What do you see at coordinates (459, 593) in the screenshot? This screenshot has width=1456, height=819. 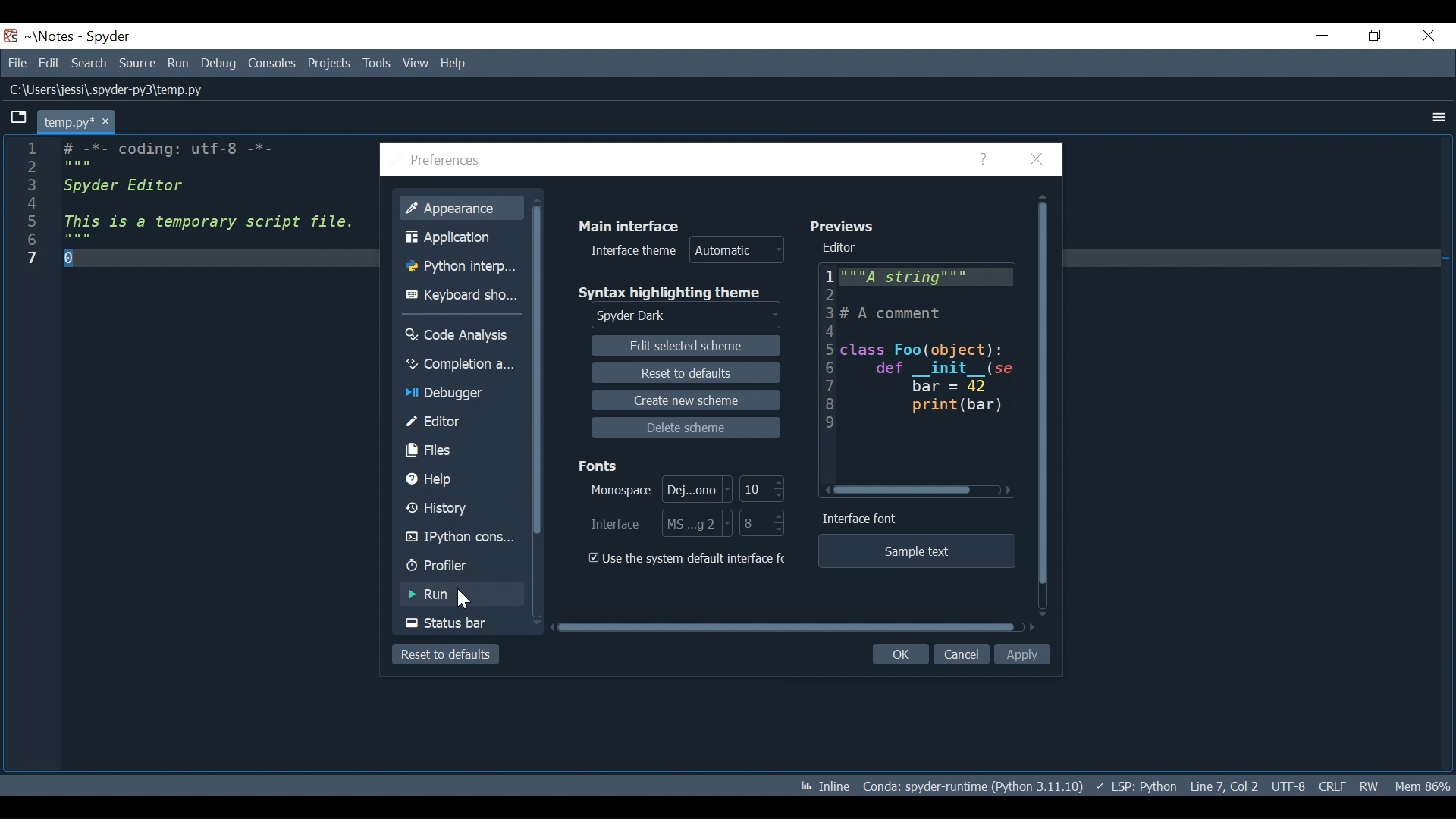 I see `Run` at bounding box center [459, 593].